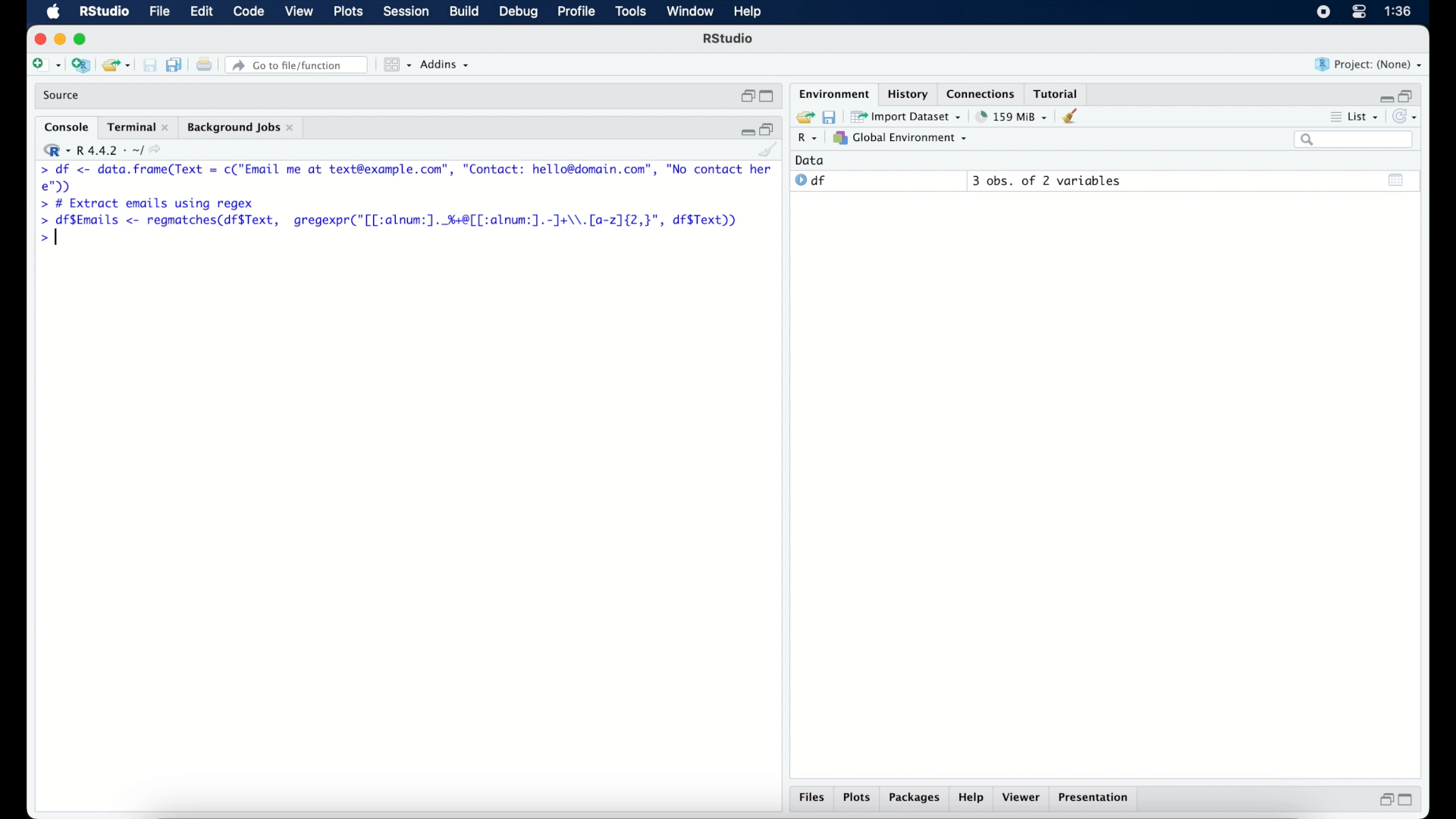  I want to click on search bar, so click(1355, 140).